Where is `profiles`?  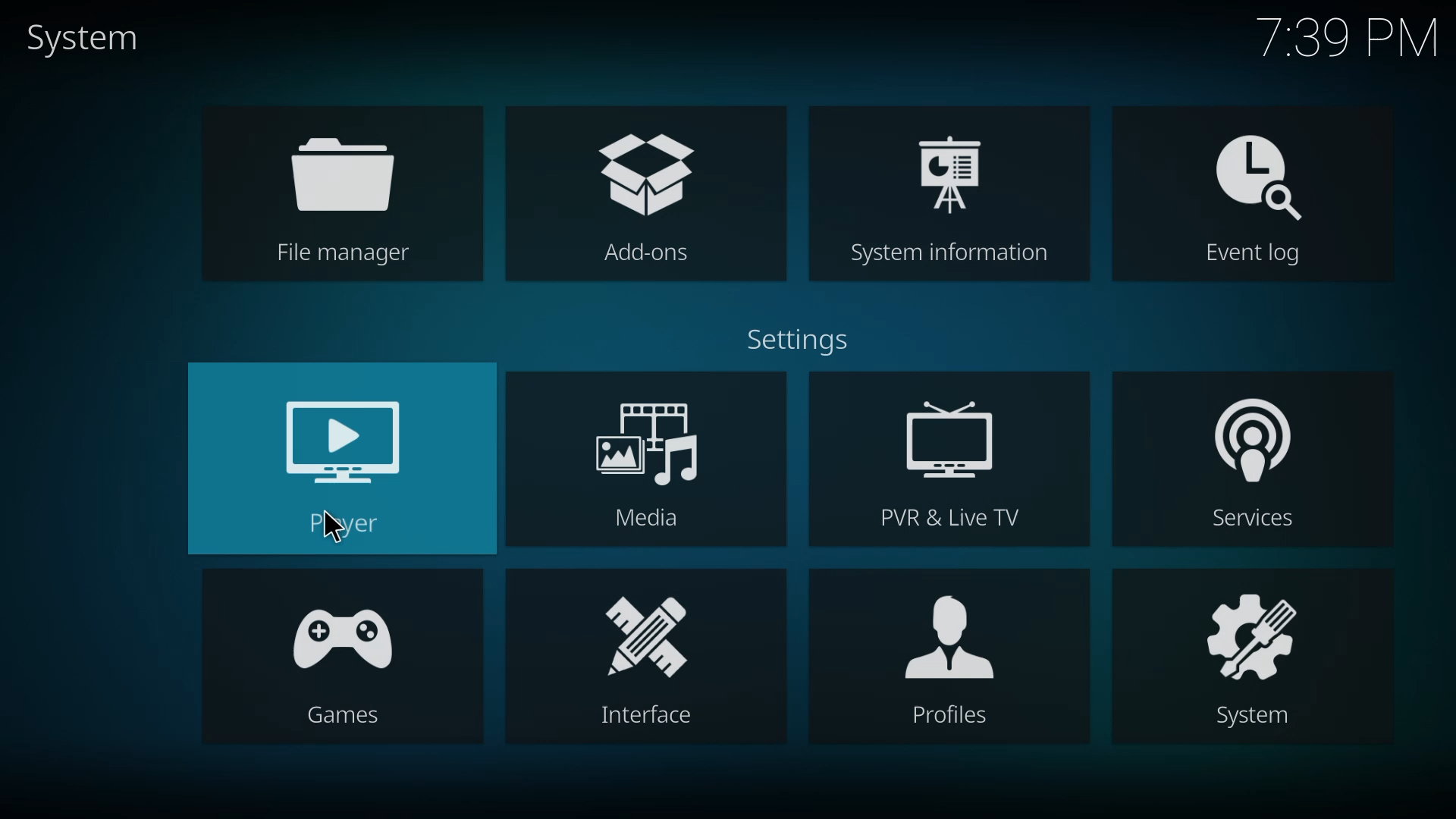
profiles is located at coordinates (948, 656).